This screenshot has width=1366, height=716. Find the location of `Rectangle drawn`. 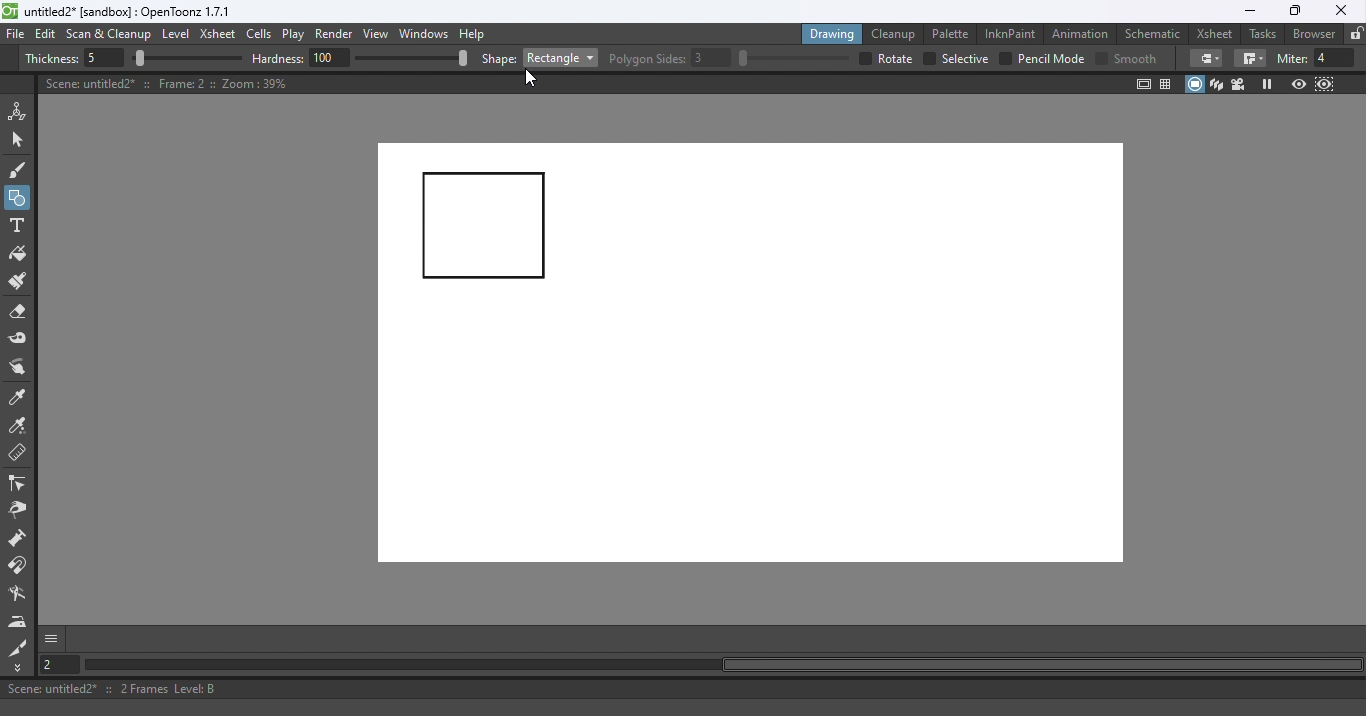

Rectangle drawn is located at coordinates (485, 227).